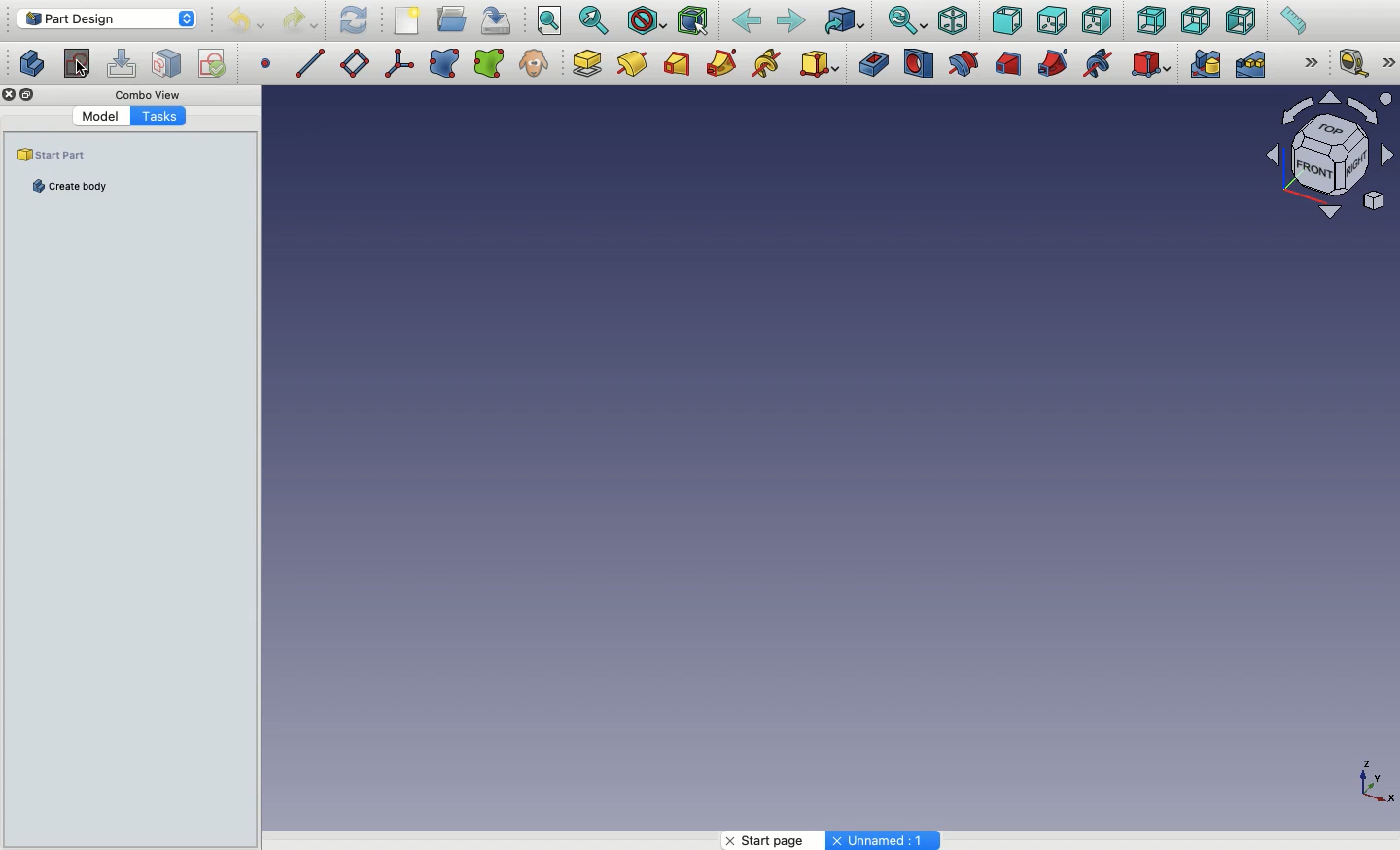 This screenshot has height=850, width=1400. What do you see at coordinates (791, 20) in the screenshot?
I see `Forward` at bounding box center [791, 20].